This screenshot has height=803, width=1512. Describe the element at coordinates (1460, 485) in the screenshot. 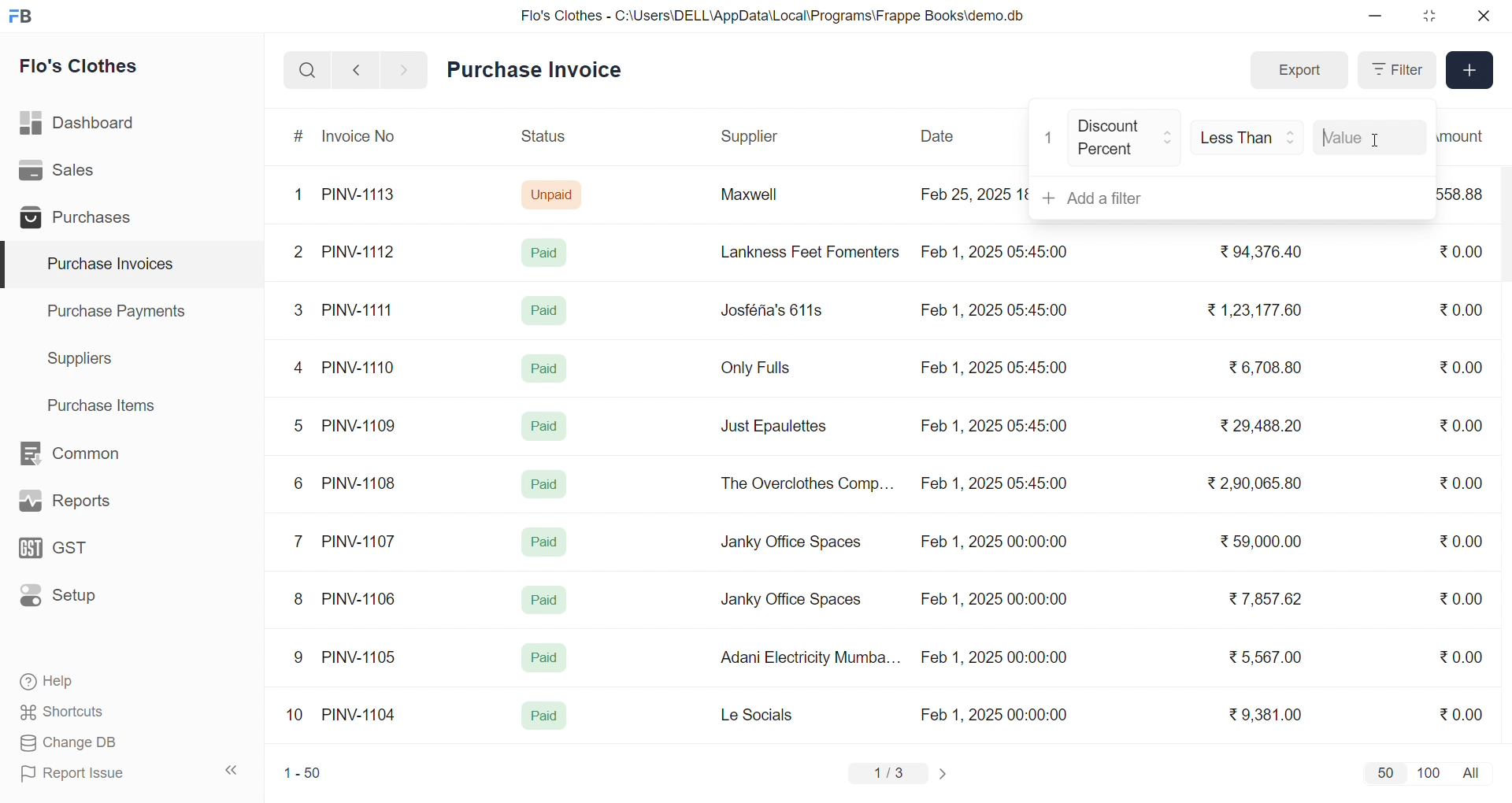

I see `₹0.00` at that location.